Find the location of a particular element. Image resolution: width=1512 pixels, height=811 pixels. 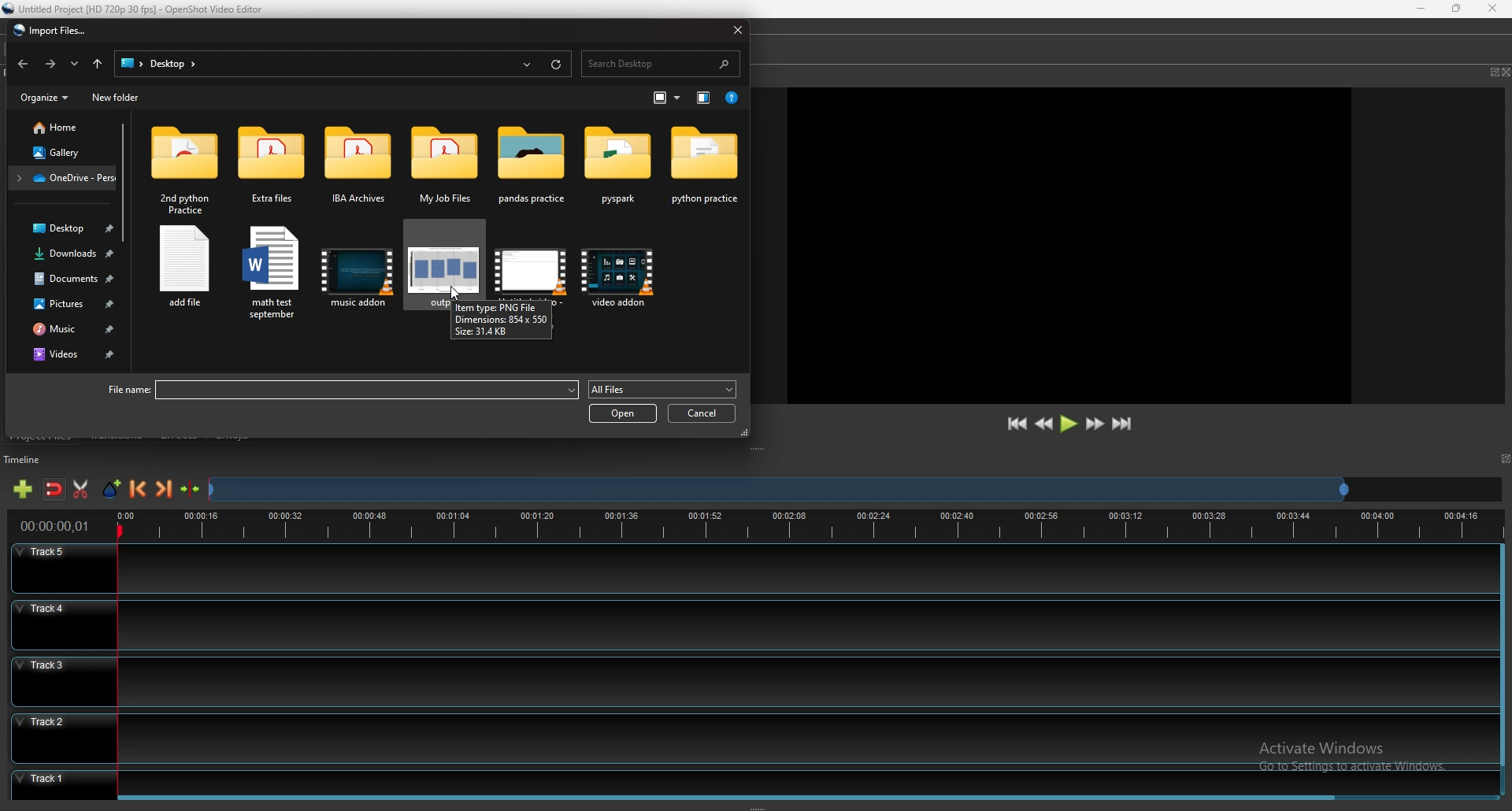

folder is located at coordinates (359, 168).